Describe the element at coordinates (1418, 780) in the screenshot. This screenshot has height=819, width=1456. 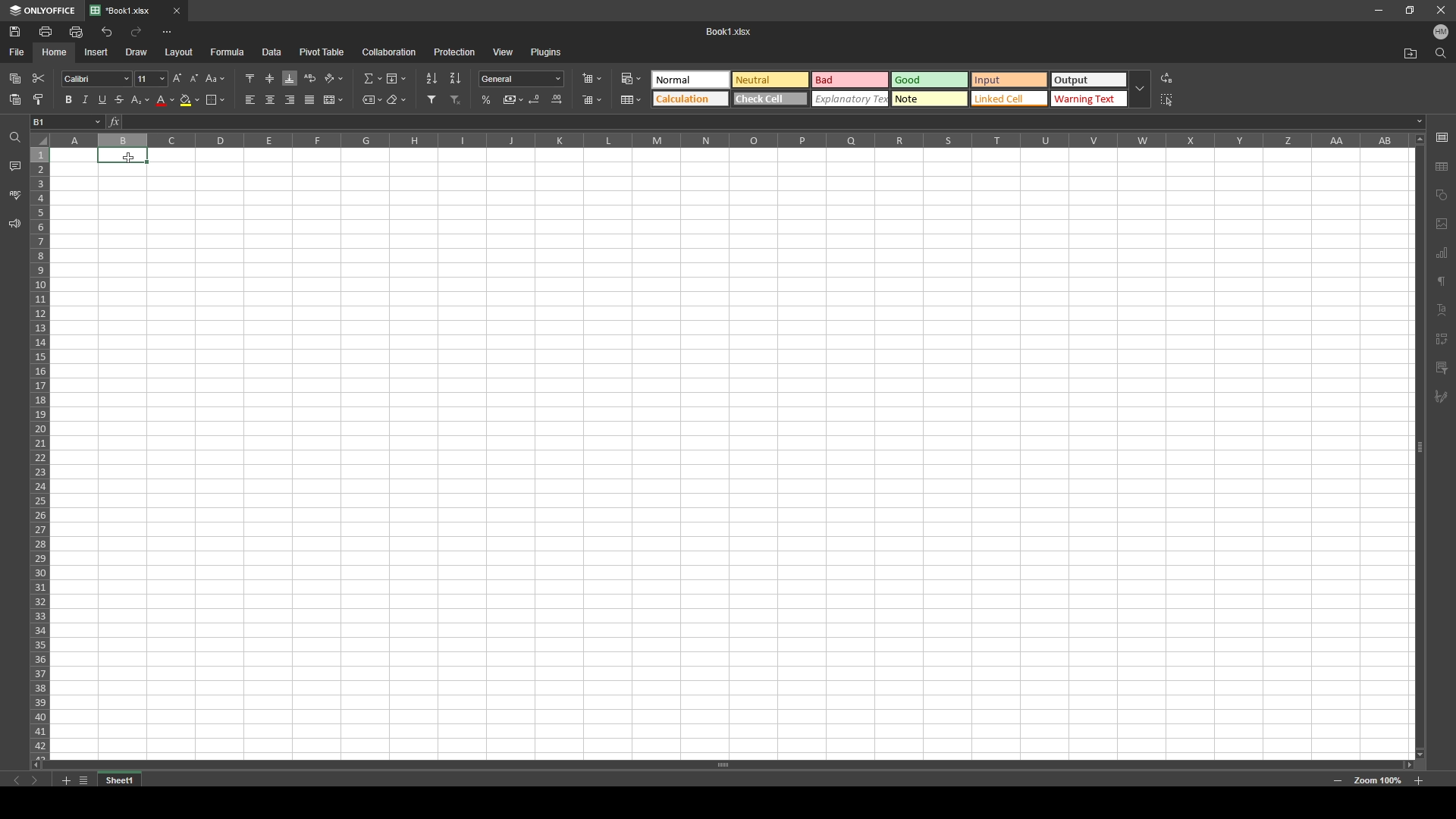
I see `zoom in` at that location.